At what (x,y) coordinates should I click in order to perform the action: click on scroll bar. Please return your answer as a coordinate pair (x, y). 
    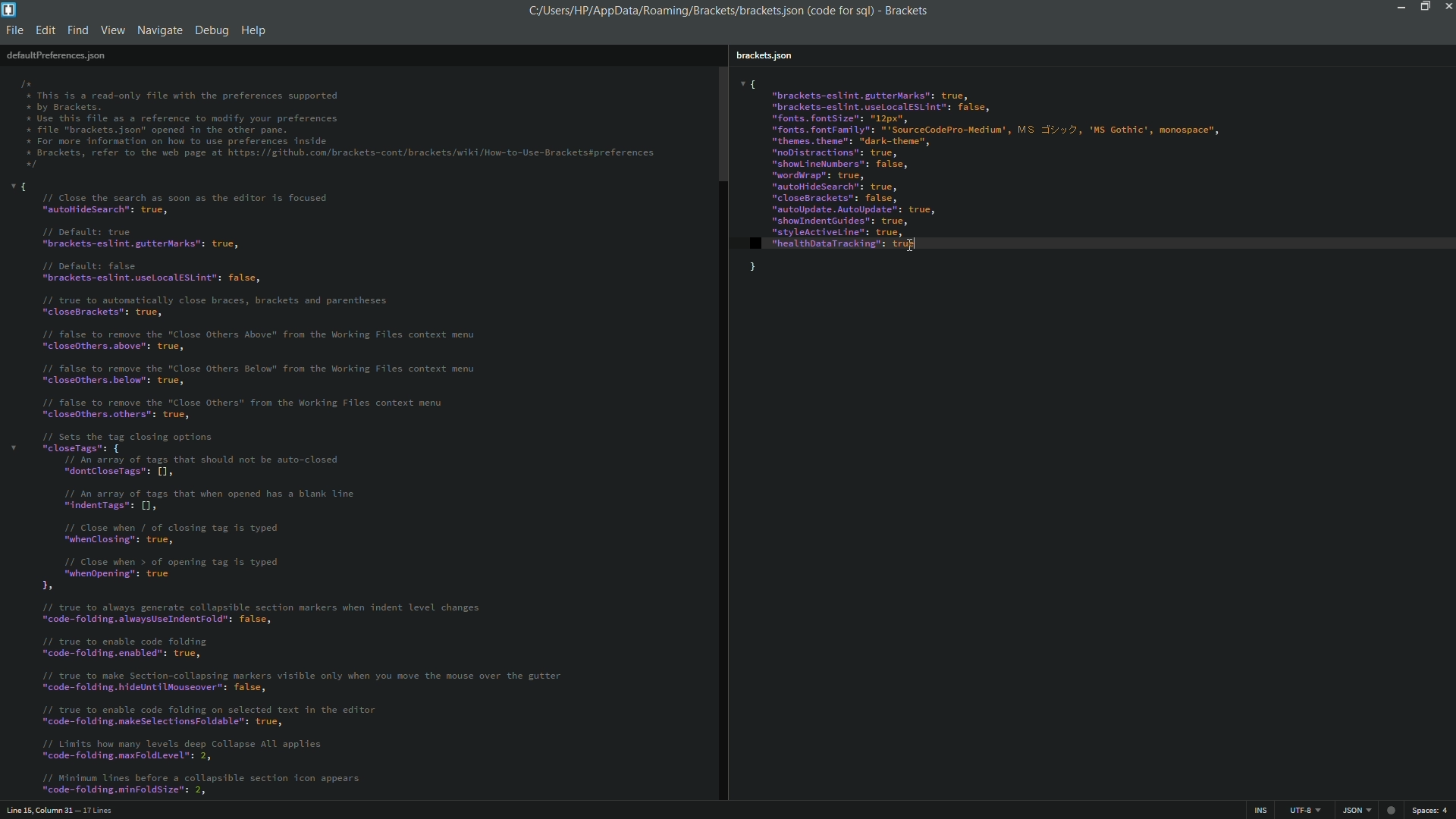
    Looking at the image, I should click on (722, 433).